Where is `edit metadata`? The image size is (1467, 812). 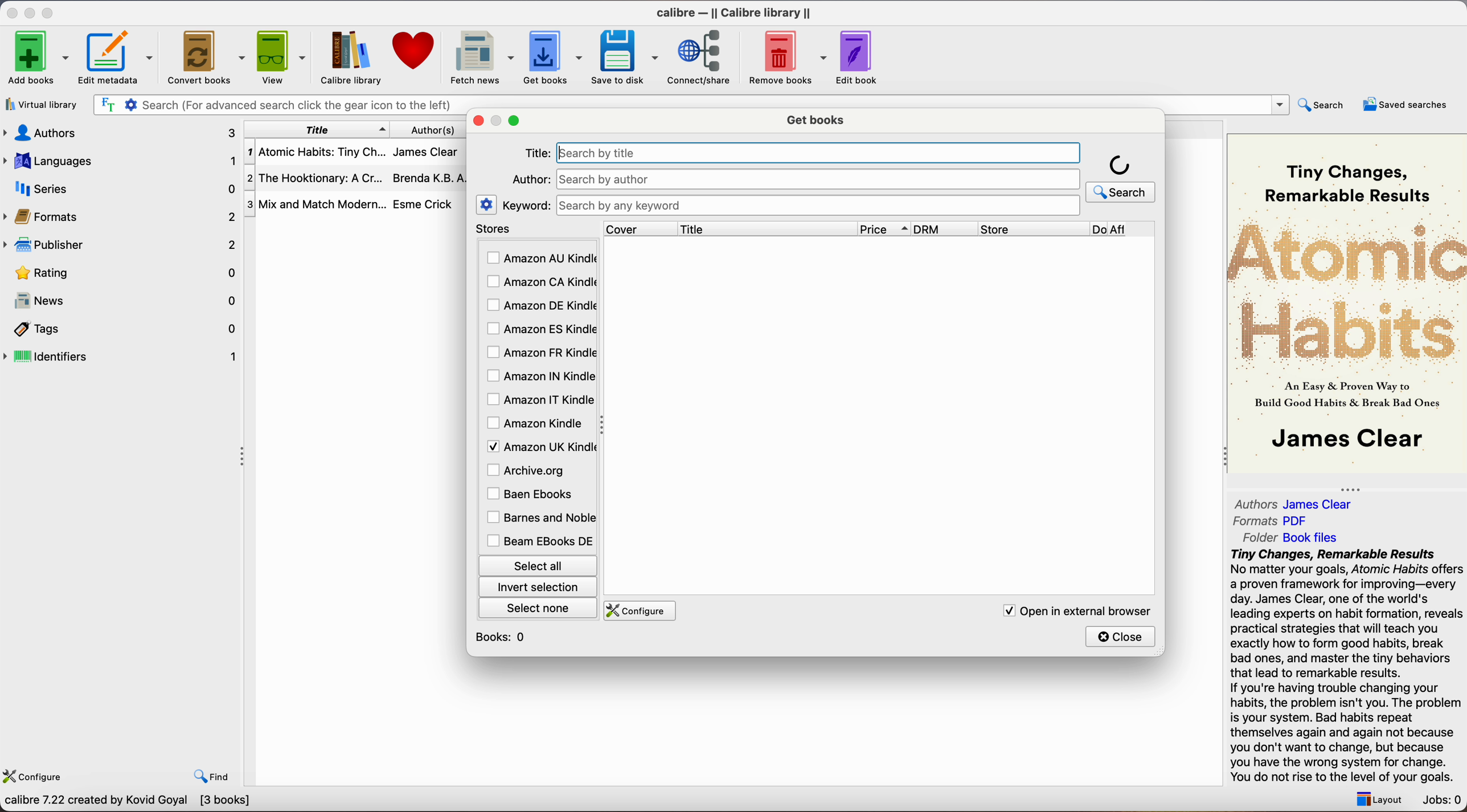 edit metadata is located at coordinates (119, 59).